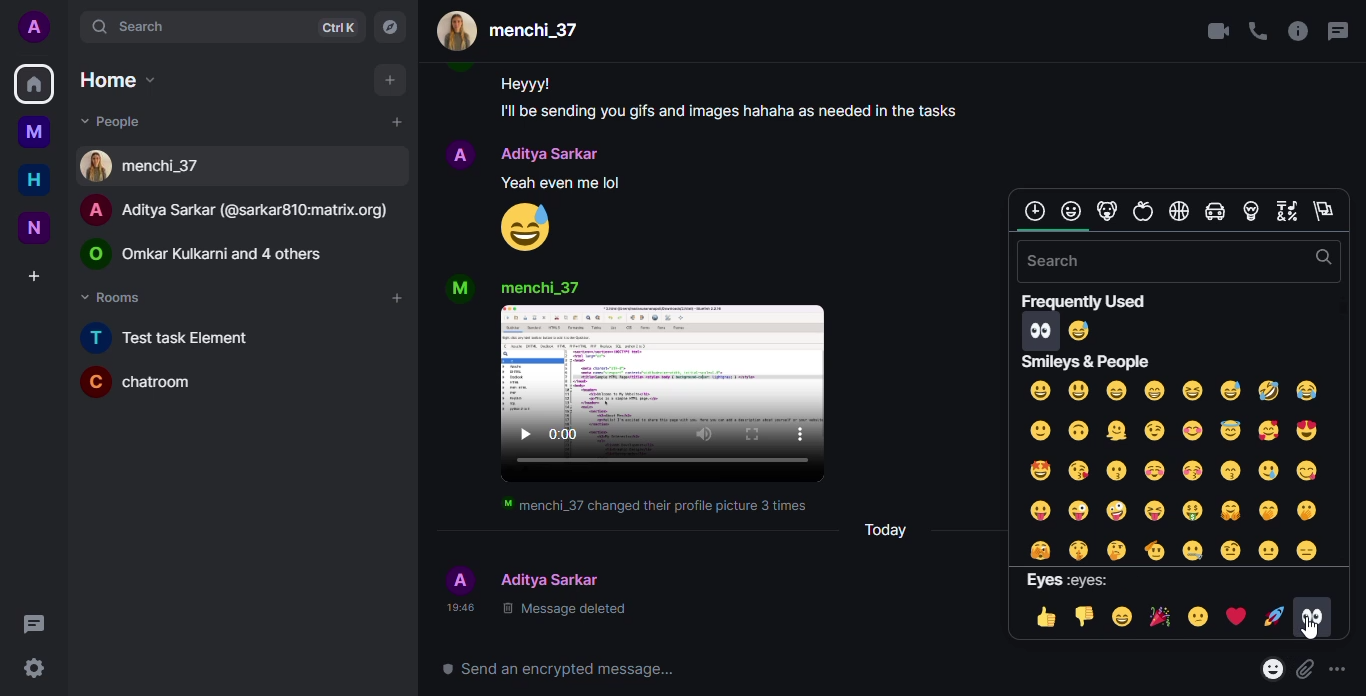  I want to click on emoji, so click(1041, 330).